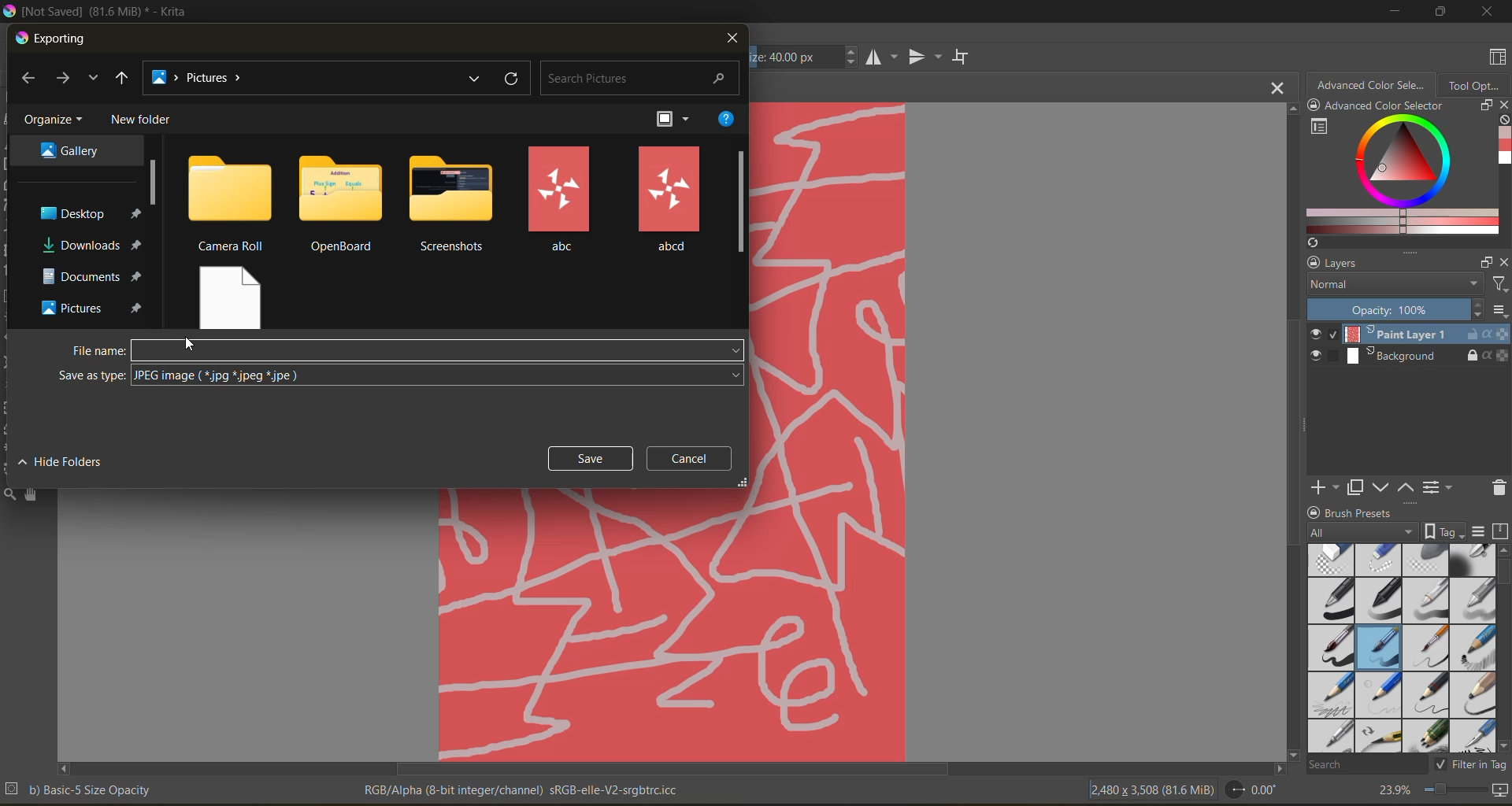 This screenshot has height=806, width=1512. I want to click on tag, so click(1363, 533).